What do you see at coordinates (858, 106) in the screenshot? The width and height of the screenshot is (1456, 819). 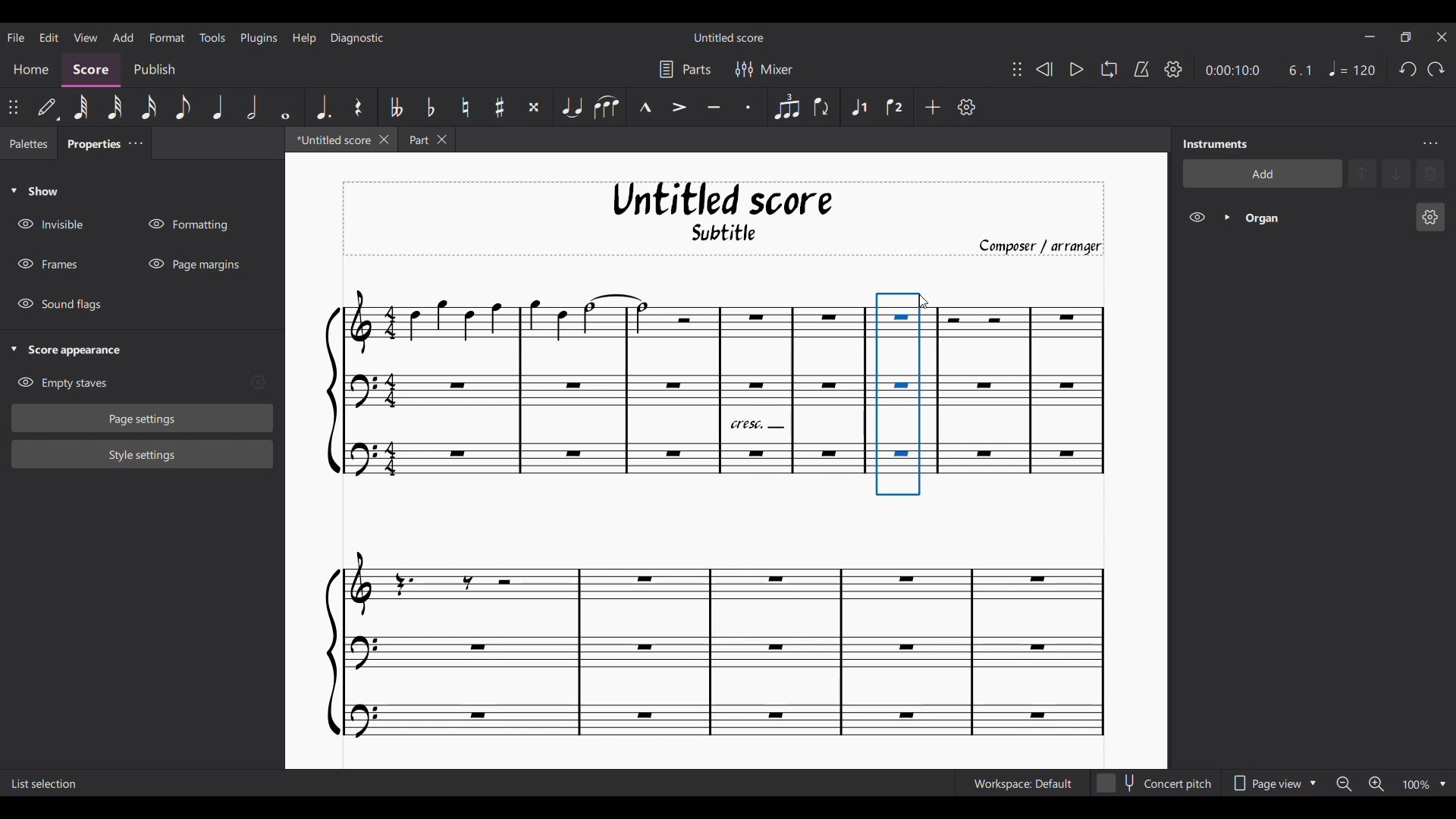 I see `Voice 1` at bounding box center [858, 106].